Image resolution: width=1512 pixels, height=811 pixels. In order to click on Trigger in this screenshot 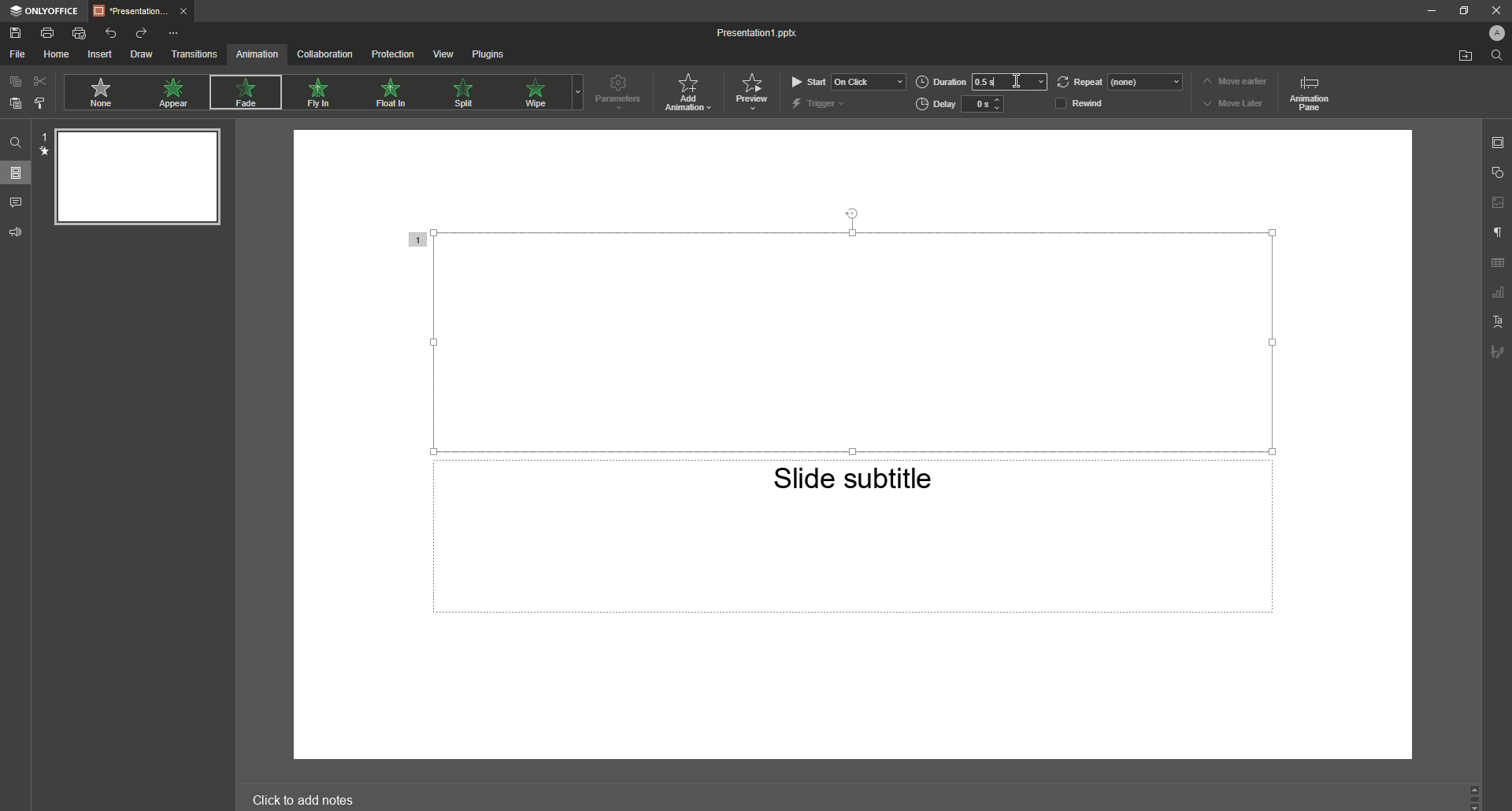, I will do `click(819, 103)`.